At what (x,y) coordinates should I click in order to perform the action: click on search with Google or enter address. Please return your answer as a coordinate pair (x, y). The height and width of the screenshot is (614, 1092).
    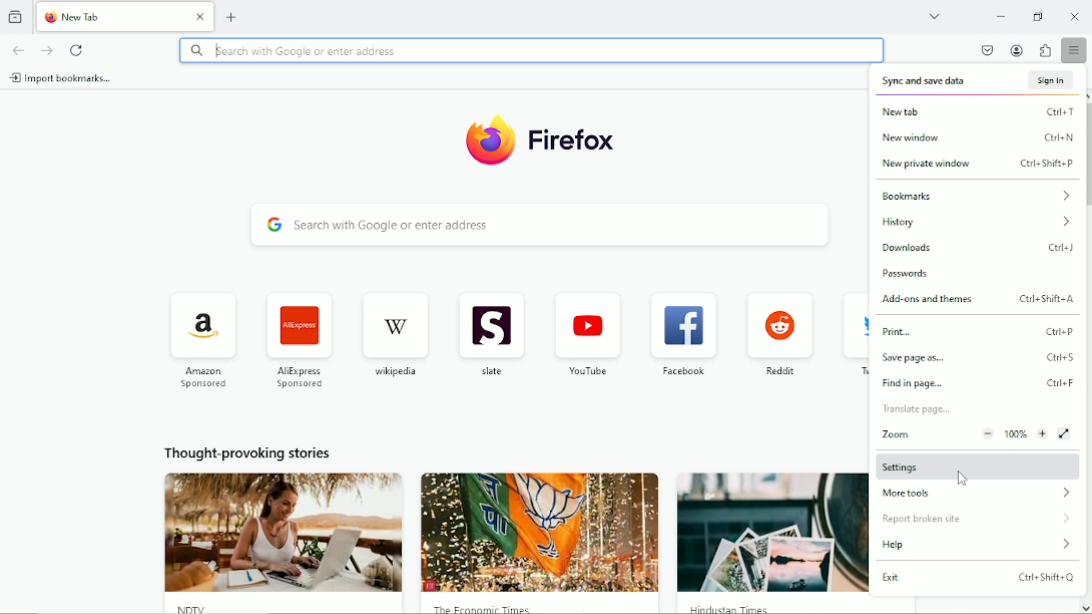
    Looking at the image, I should click on (544, 226).